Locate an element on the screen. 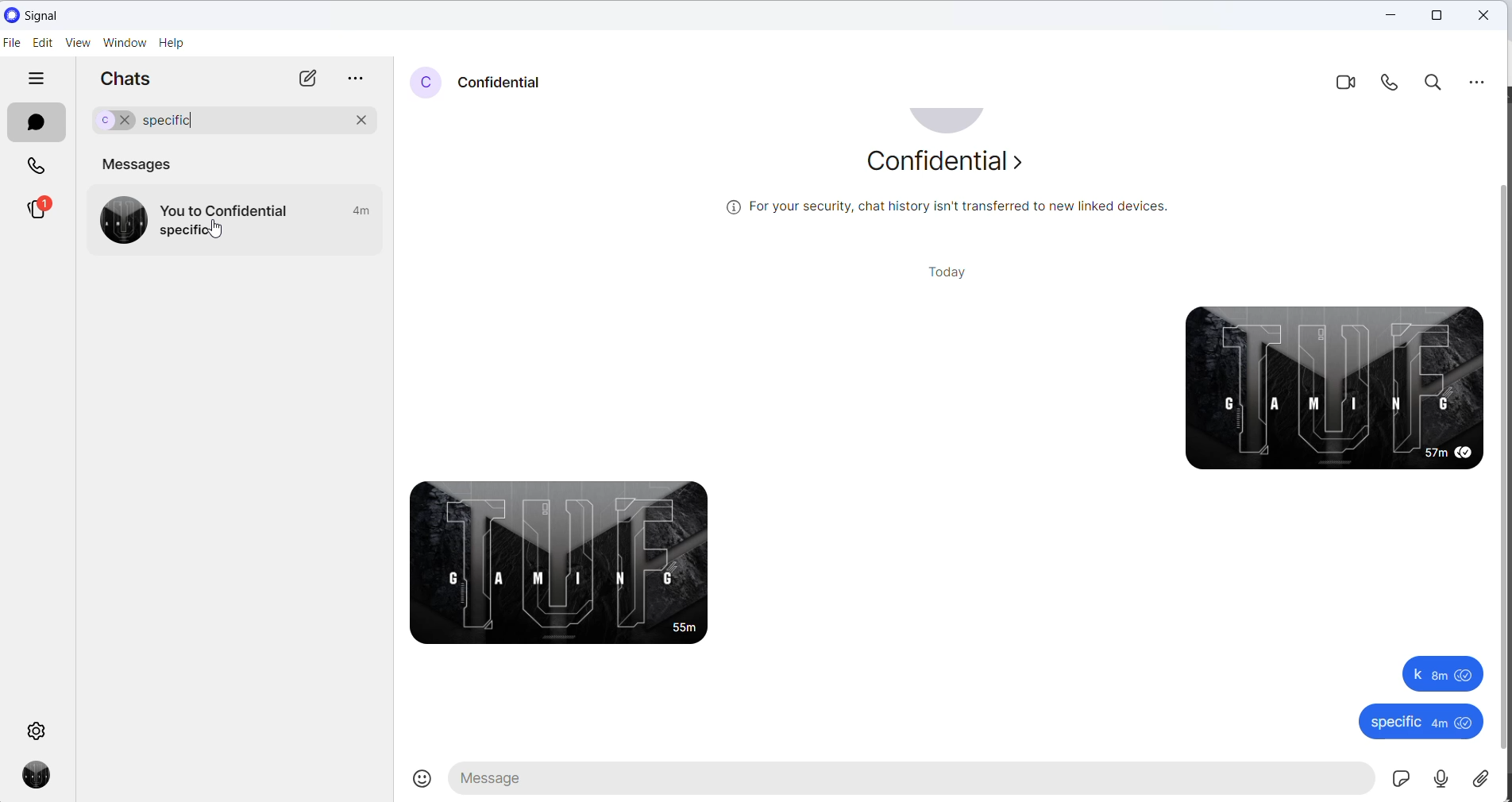  security related text is located at coordinates (956, 210).